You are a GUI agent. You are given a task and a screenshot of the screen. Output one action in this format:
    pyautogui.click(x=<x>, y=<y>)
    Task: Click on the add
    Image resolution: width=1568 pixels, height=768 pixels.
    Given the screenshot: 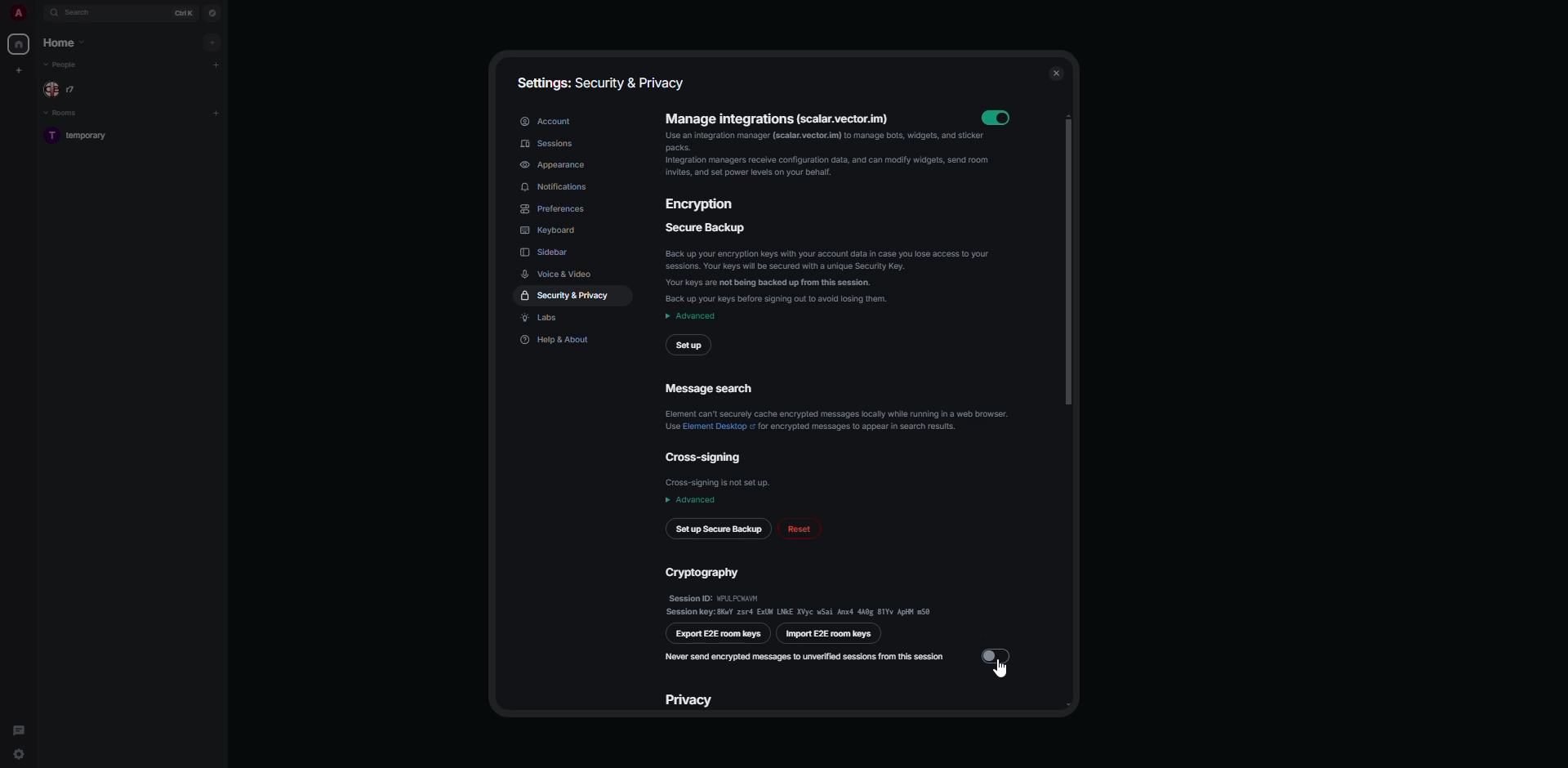 What is the action you would take?
    pyautogui.click(x=212, y=42)
    